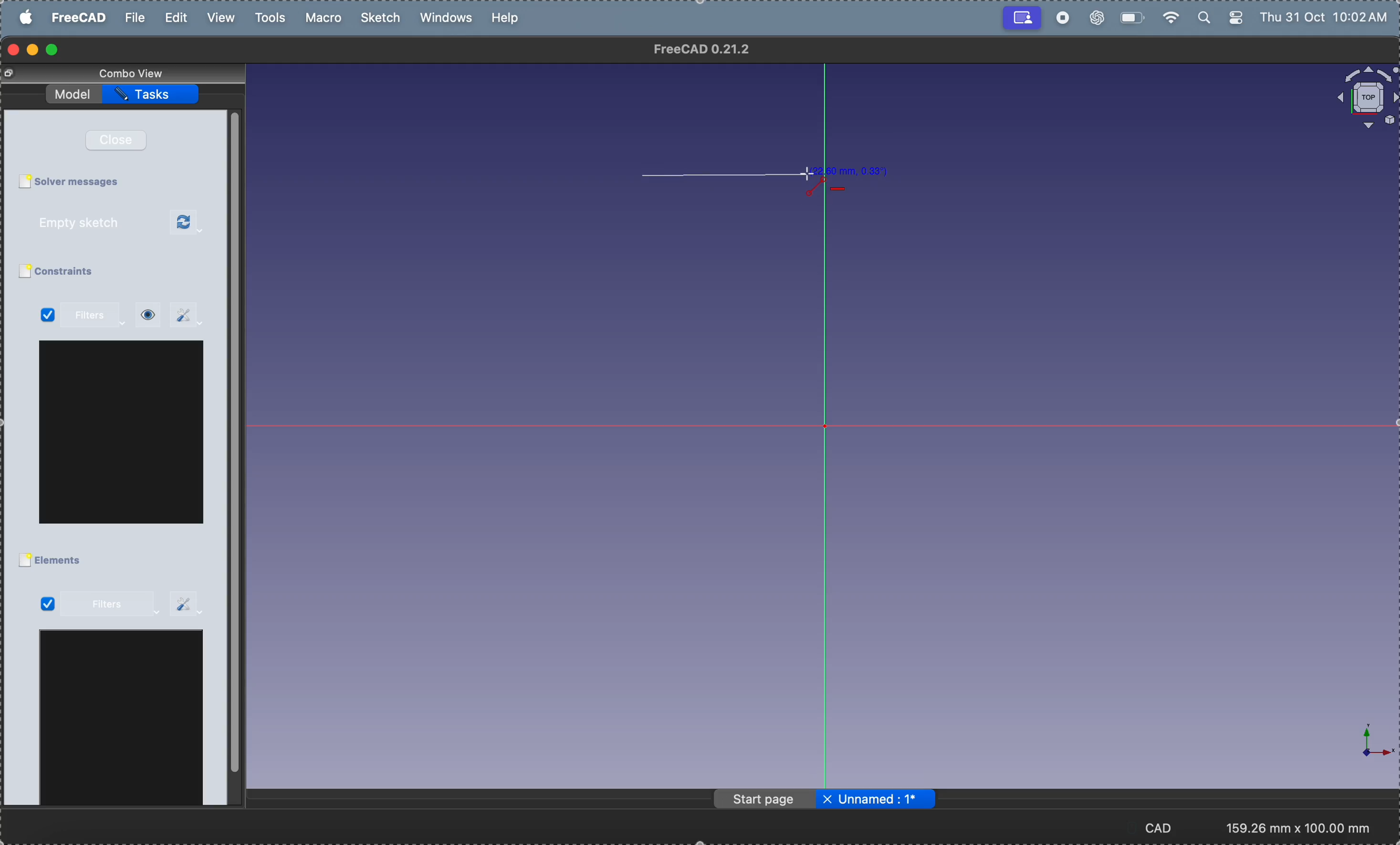  What do you see at coordinates (24, 561) in the screenshot?
I see `Checkbox` at bounding box center [24, 561].